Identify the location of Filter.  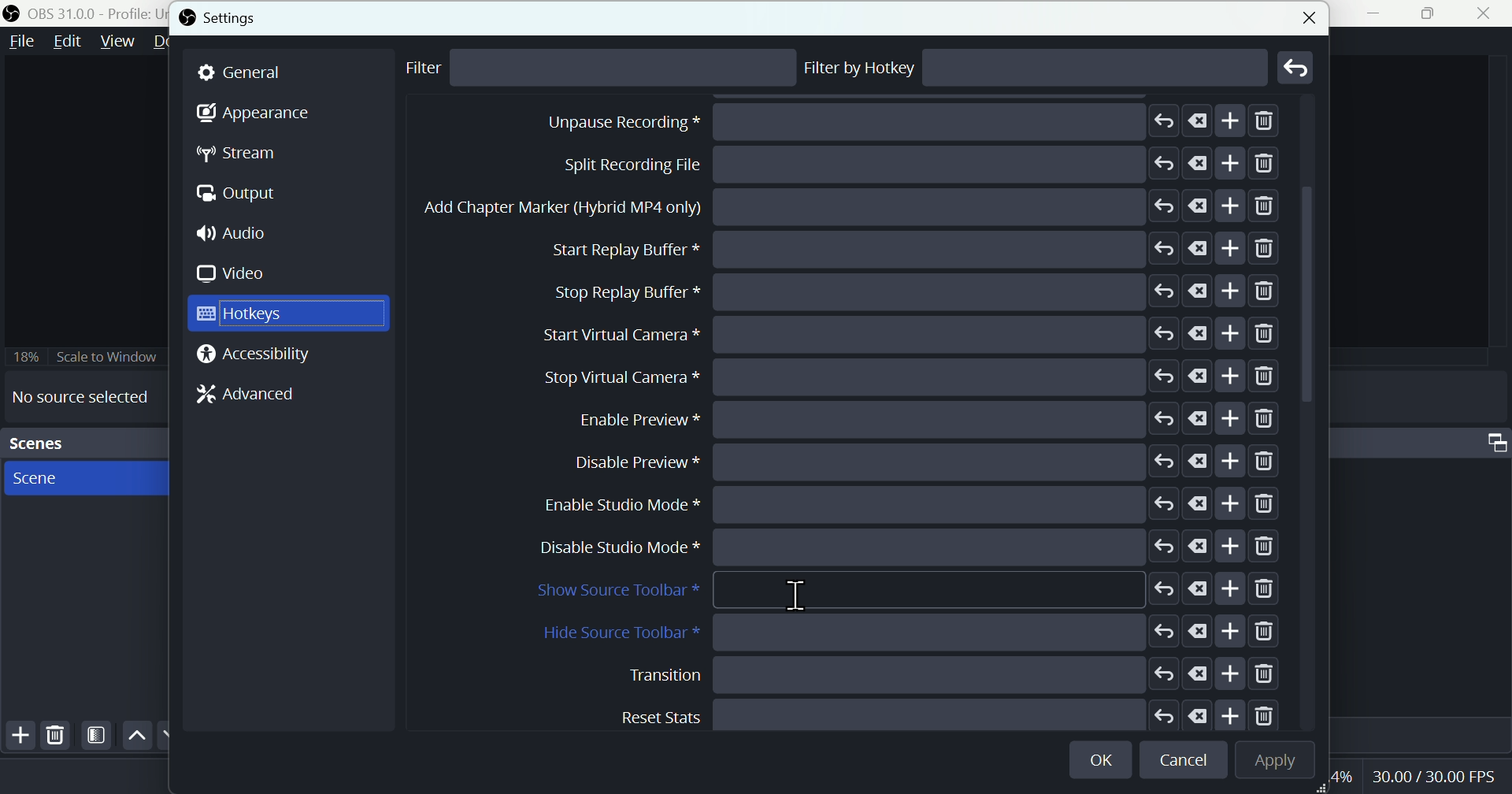
(435, 69).